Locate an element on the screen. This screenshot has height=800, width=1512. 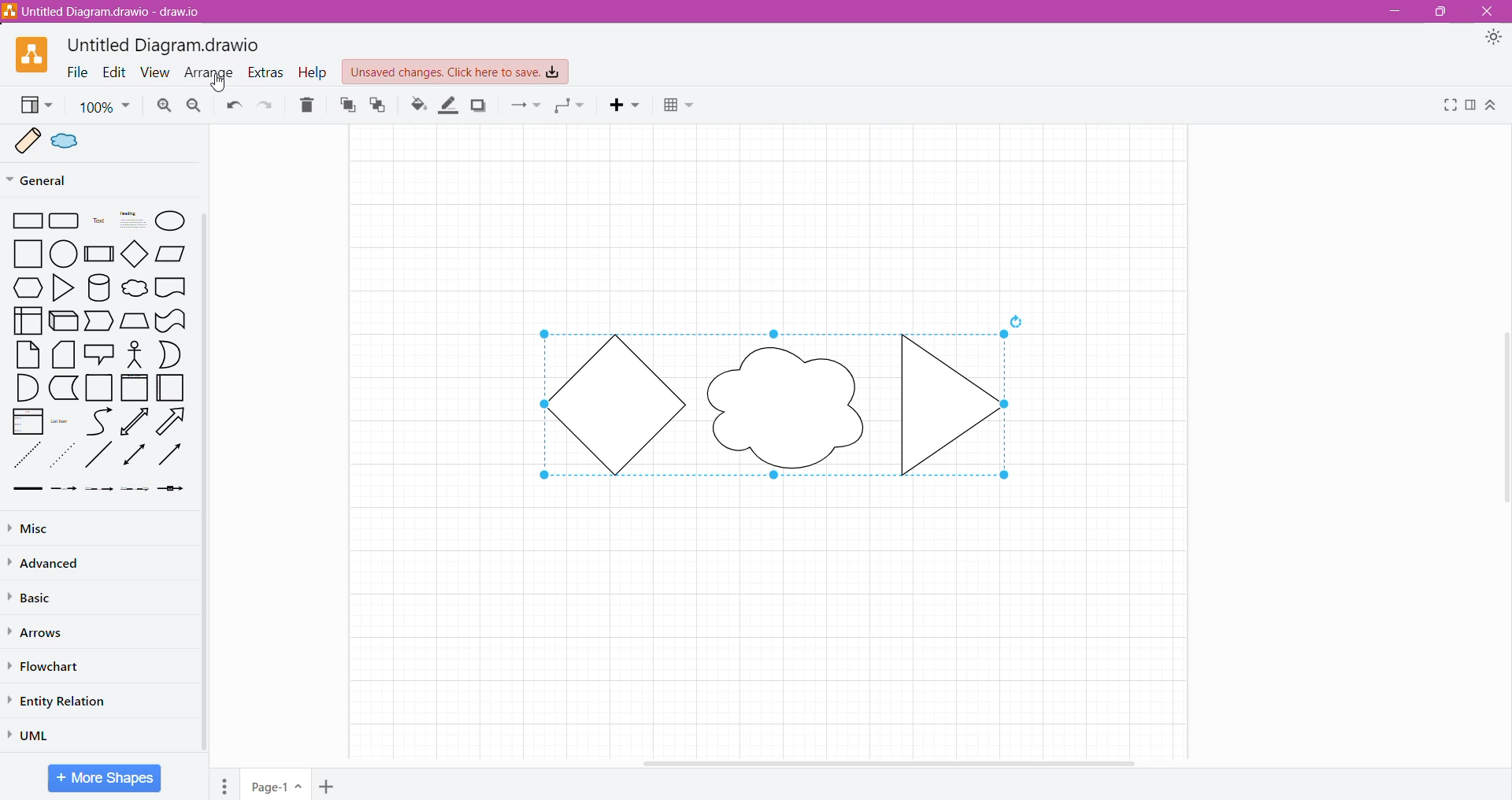
Connections is located at coordinates (526, 106).